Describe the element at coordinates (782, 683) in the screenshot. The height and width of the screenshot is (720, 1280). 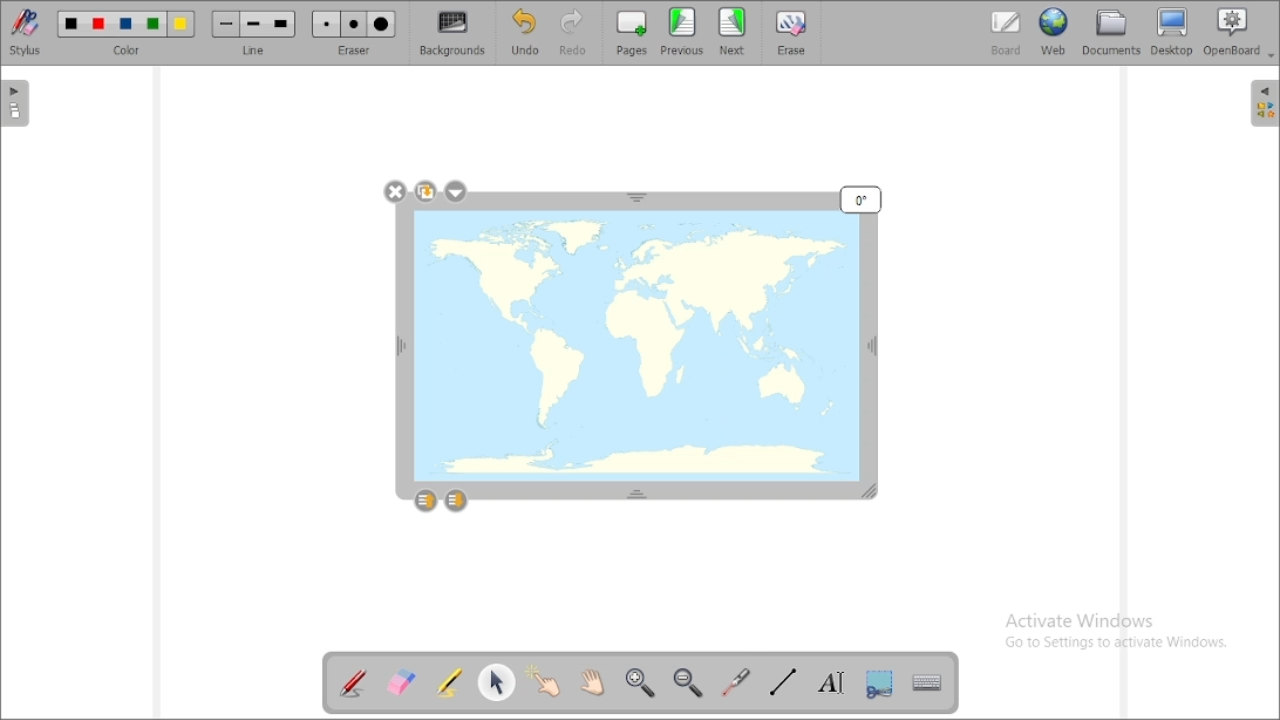
I see `draw lines` at that location.